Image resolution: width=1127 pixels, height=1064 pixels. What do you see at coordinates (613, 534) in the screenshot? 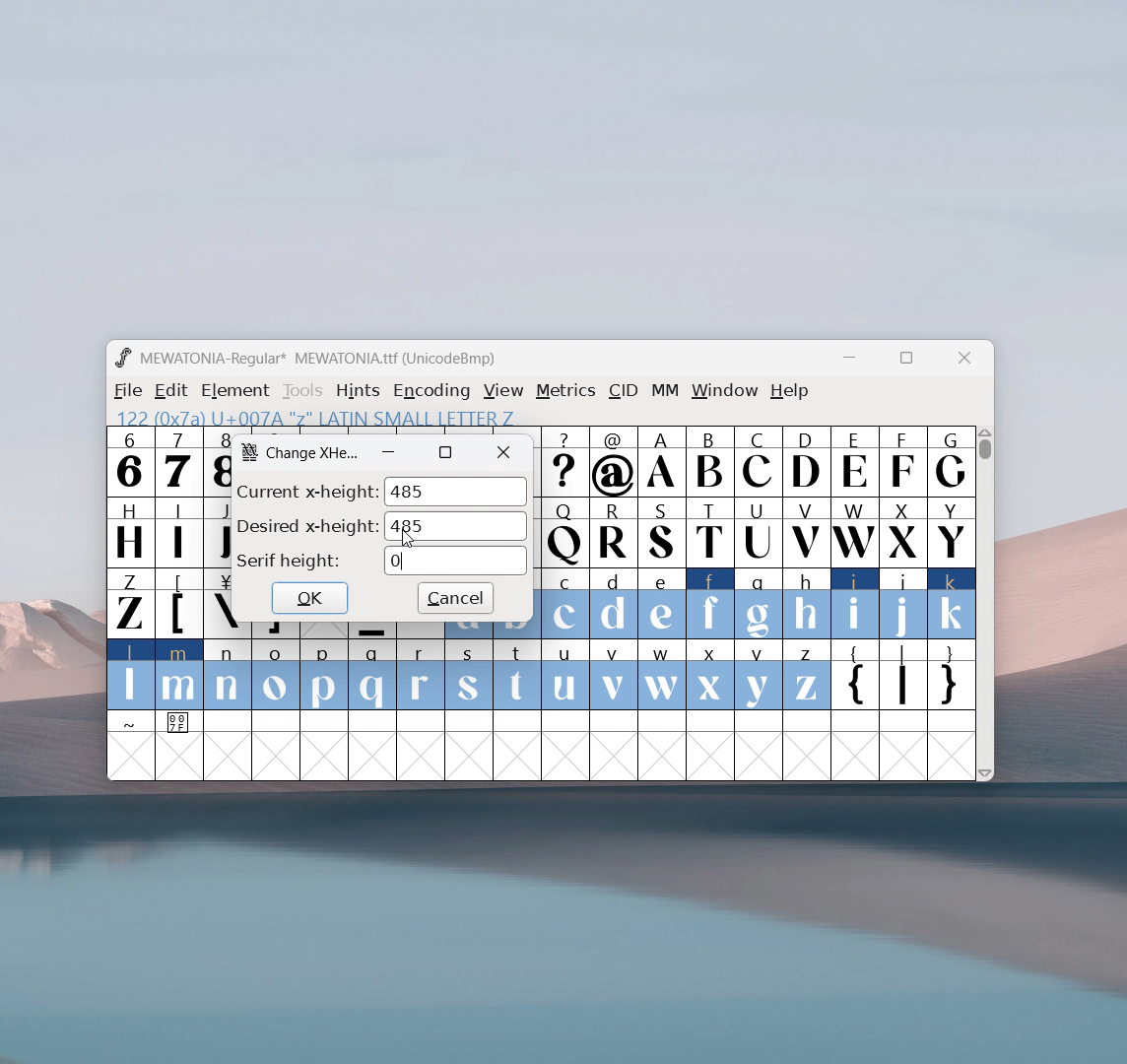
I see `R` at bounding box center [613, 534].